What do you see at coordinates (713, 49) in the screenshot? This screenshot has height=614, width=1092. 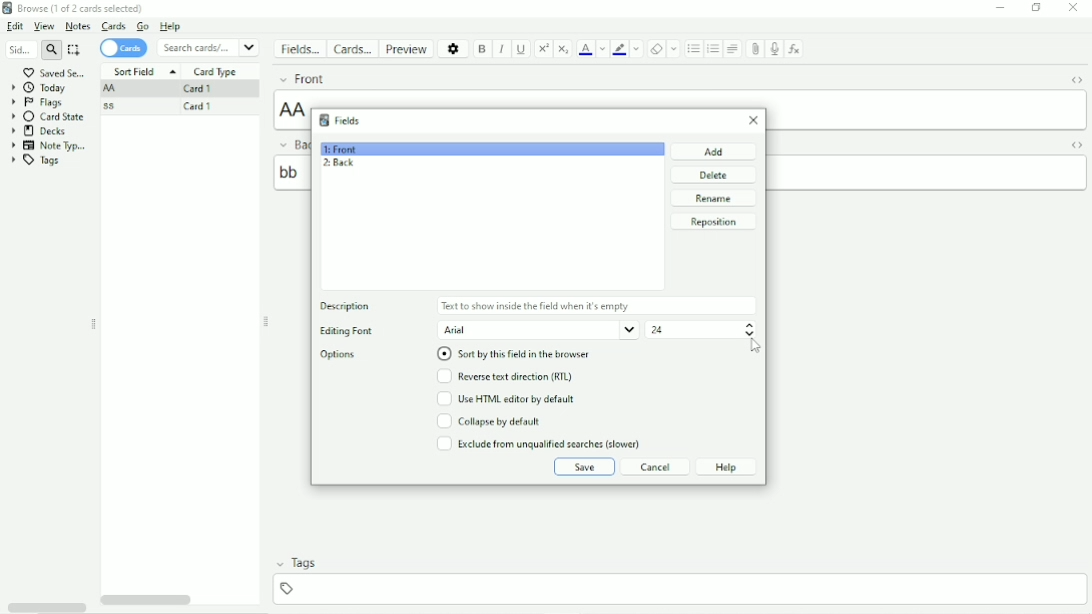 I see `Ordered list` at bounding box center [713, 49].